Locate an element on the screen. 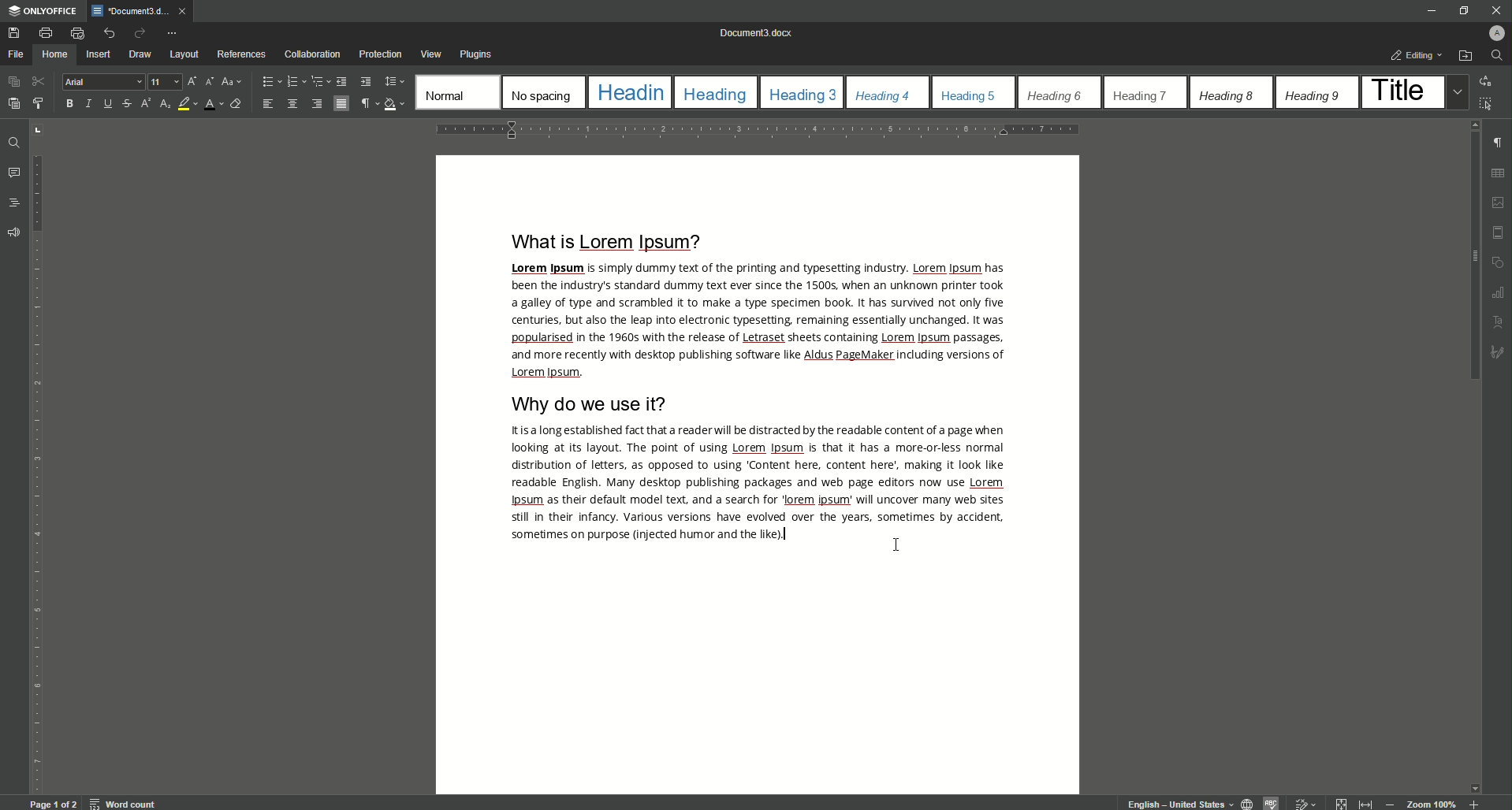 This screenshot has width=1512, height=810. Graphs is located at coordinates (1501, 291).